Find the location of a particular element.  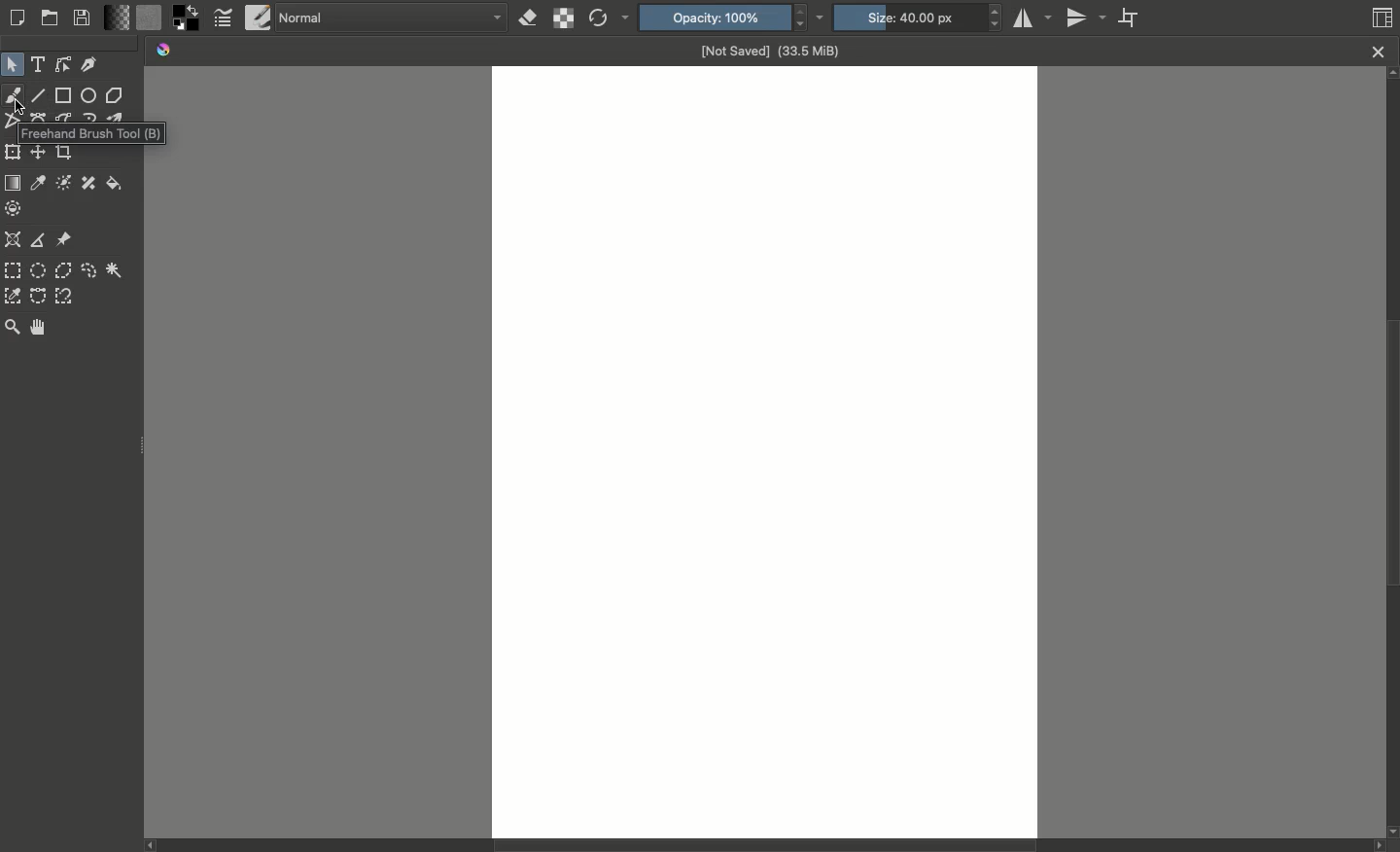

Freehand selection tool is located at coordinates (88, 270).